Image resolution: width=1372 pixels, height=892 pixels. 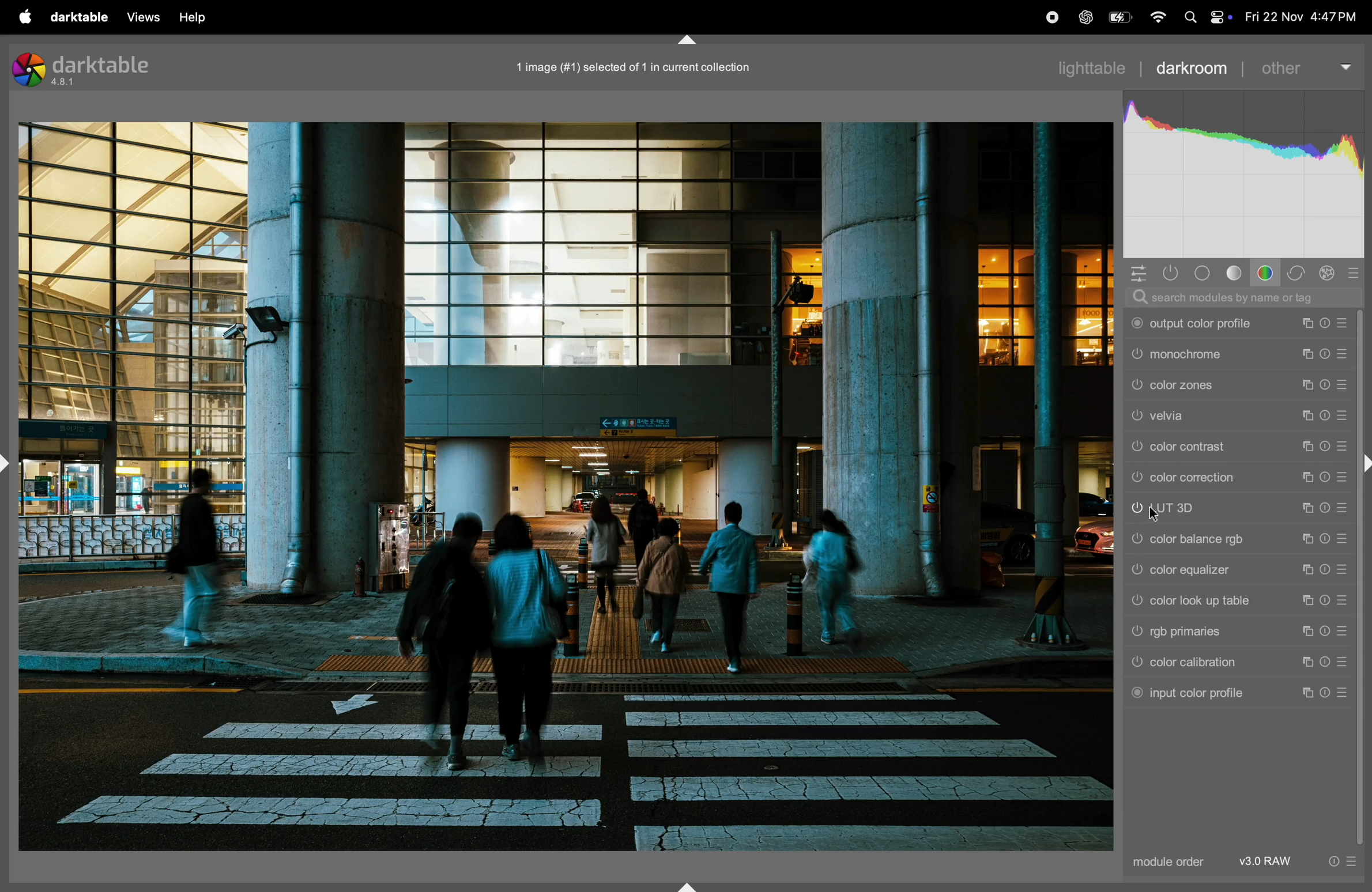 What do you see at coordinates (1155, 516) in the screenshot?
I see `cursor` at bounding box center [1155, 516].